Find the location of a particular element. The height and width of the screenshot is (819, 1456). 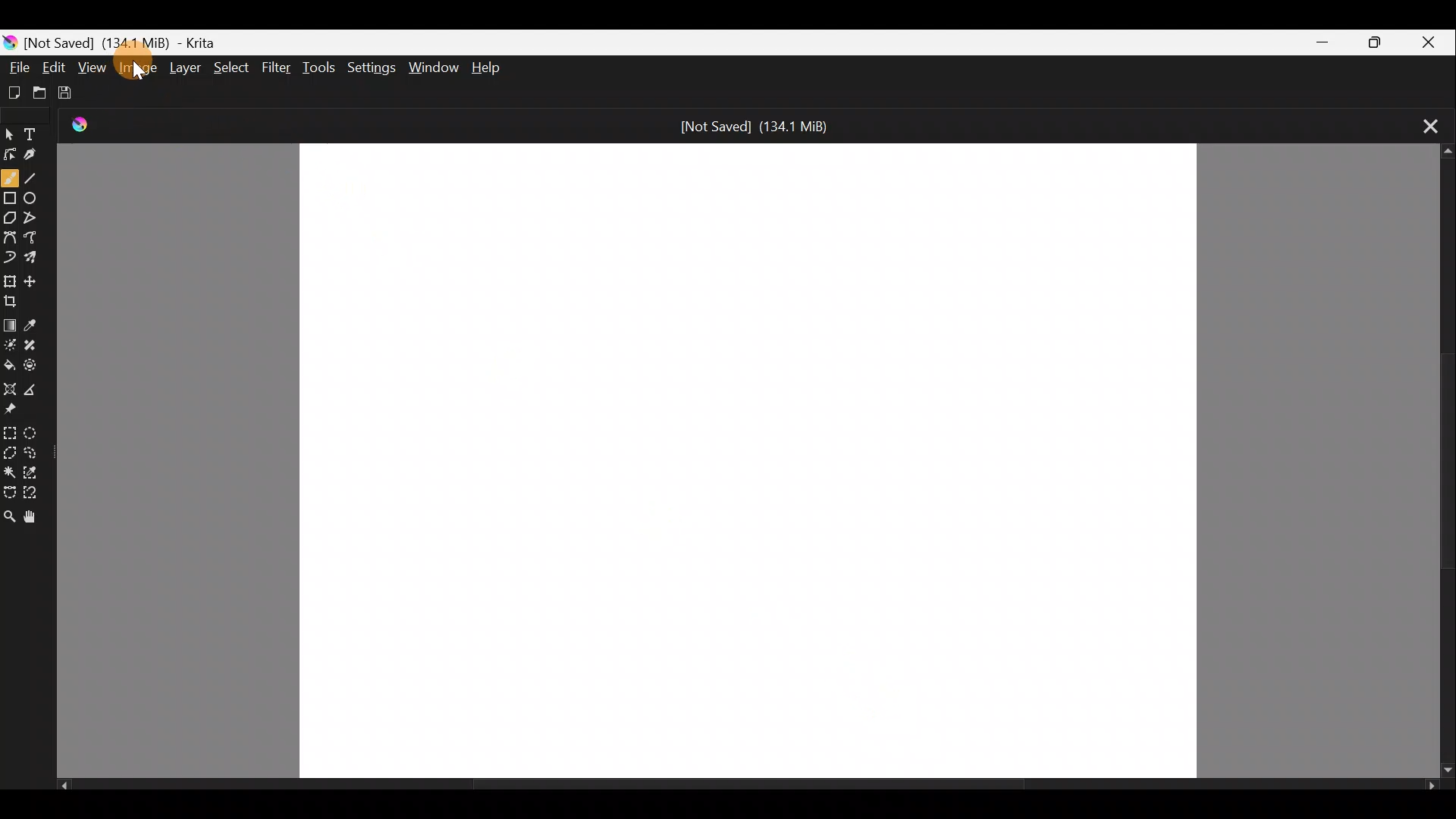

Freehand selection tool is located at coordinates (36, 450).